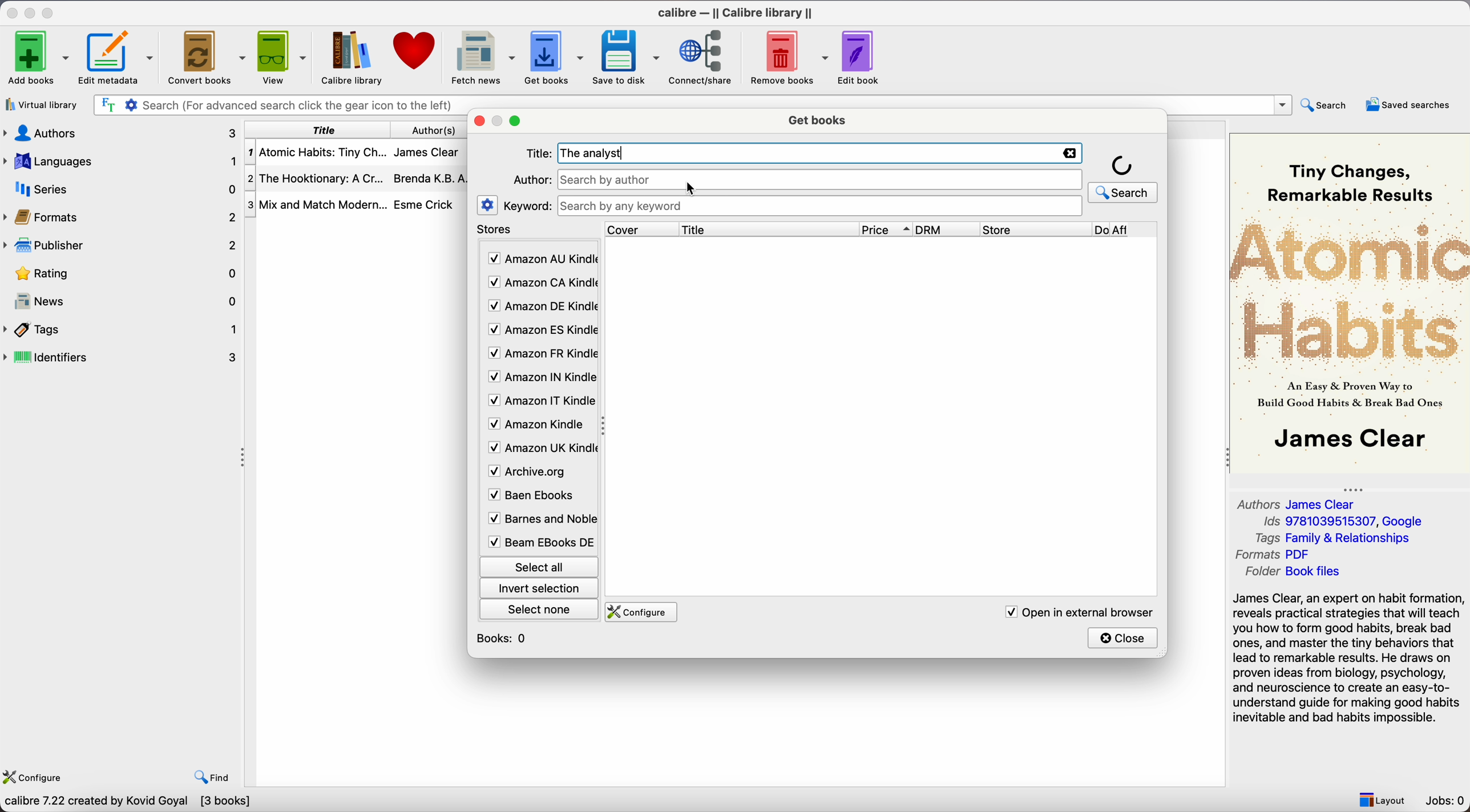  I want to click on Brenda K.B.A..., so click(434, 178).